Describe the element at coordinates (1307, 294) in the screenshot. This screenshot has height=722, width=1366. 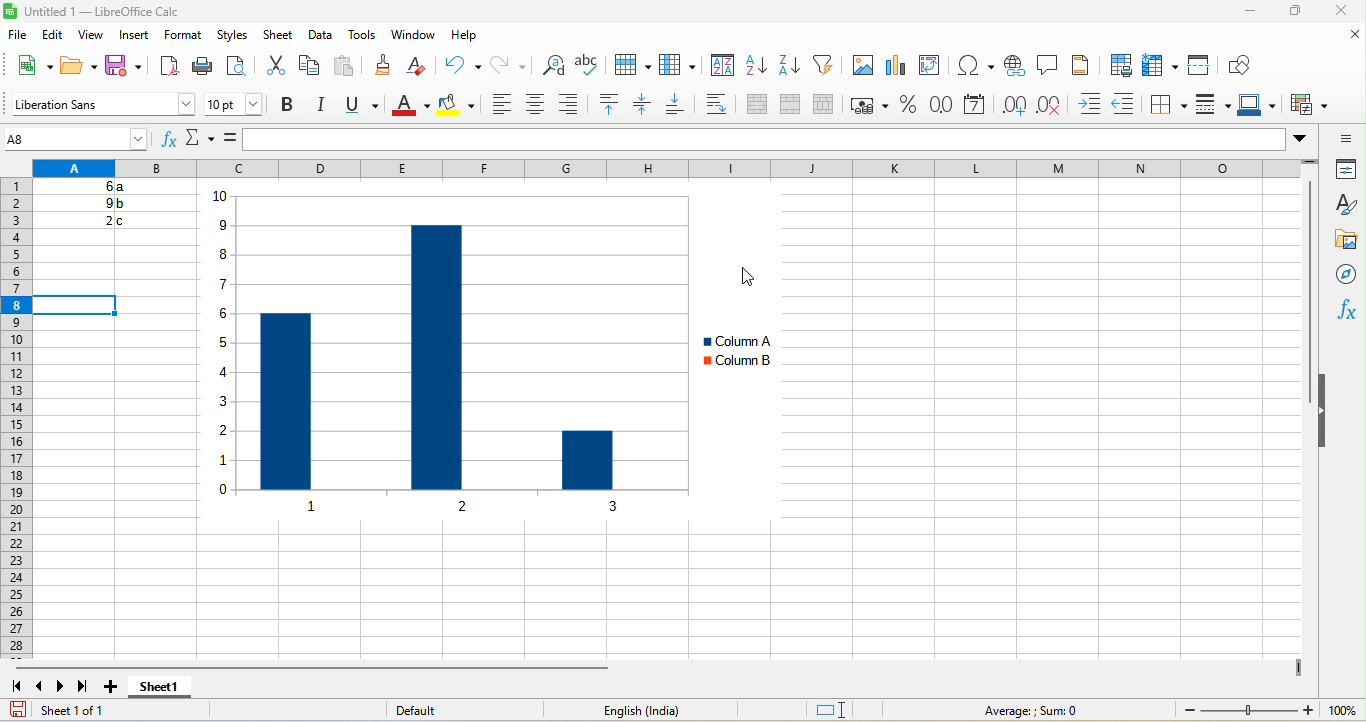
I see `vertical scroll bar` at that location.